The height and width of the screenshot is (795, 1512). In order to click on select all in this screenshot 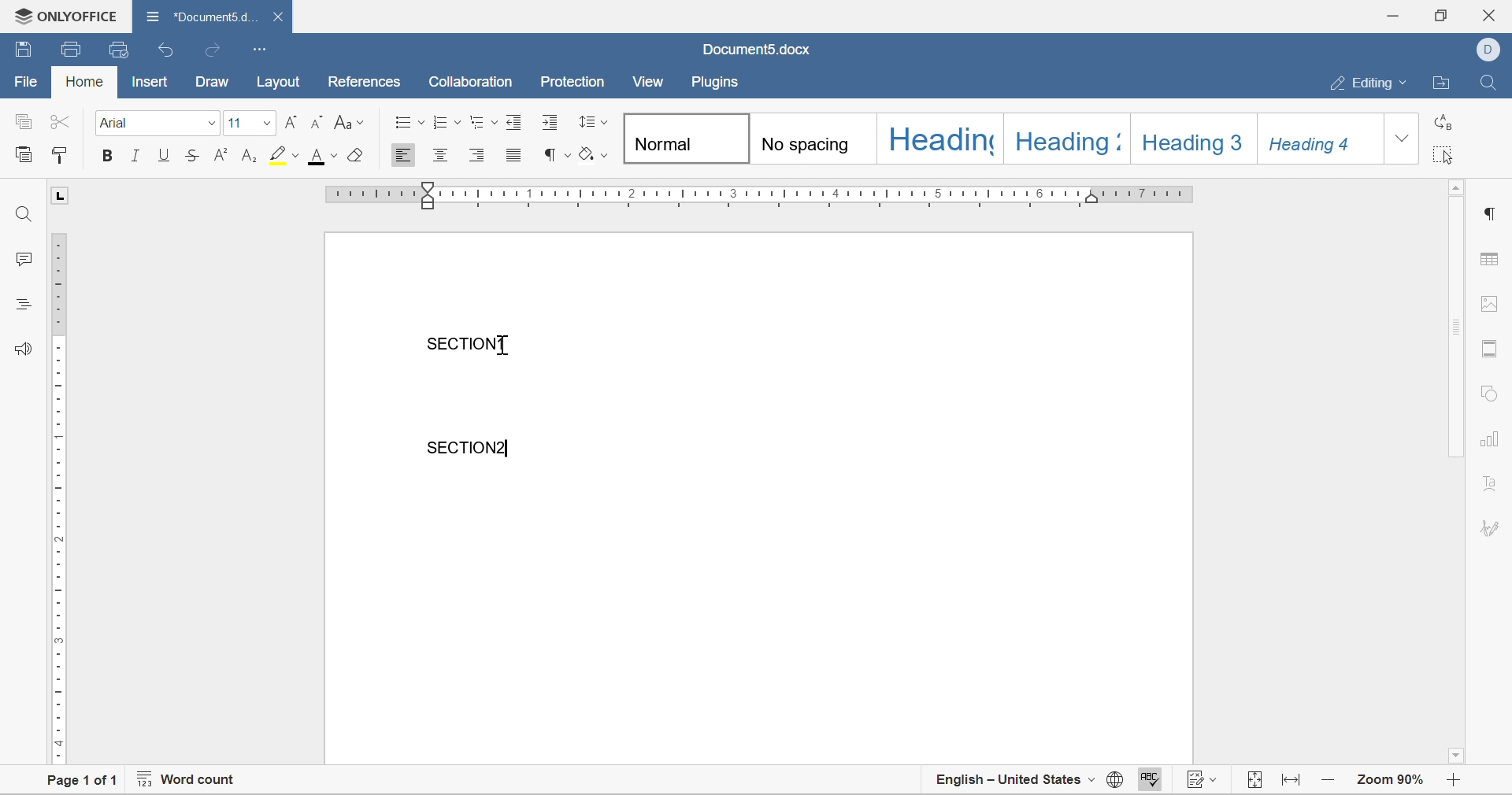, I will do `click(1443, 157)`.